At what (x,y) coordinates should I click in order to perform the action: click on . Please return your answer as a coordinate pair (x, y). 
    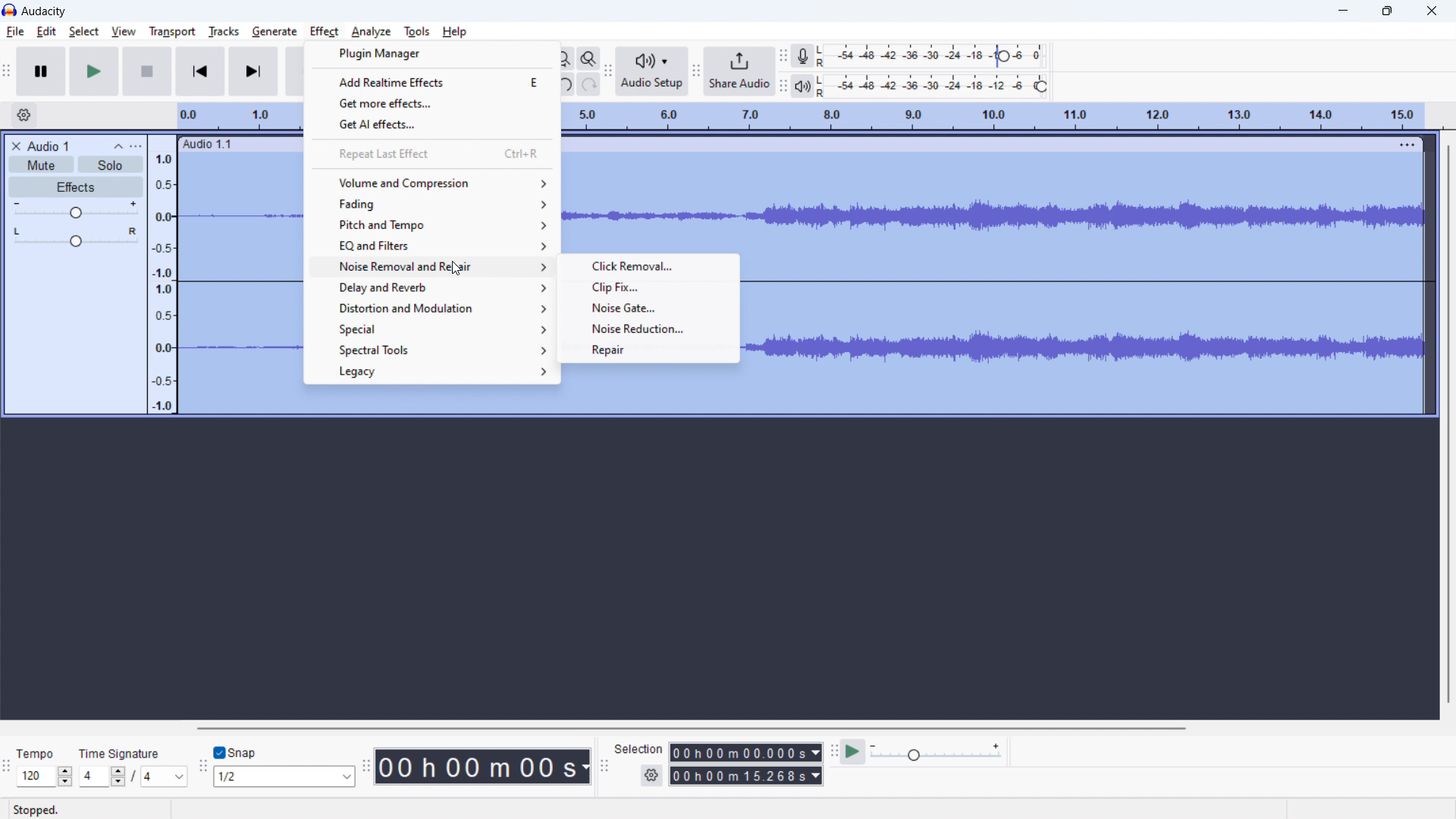
    Looking at the image, I should click on (648, 329).